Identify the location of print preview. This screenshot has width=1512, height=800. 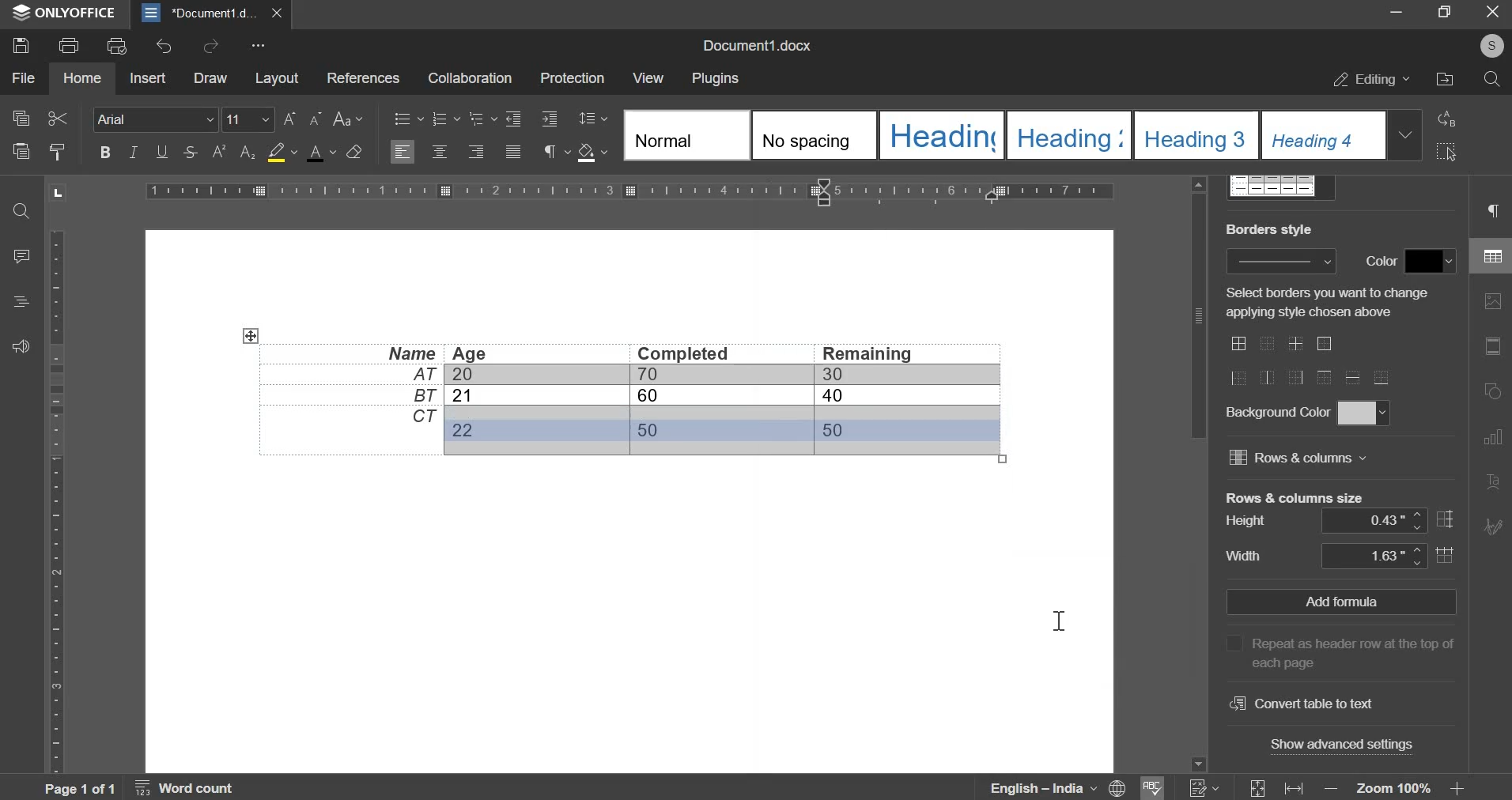
(115, 44).